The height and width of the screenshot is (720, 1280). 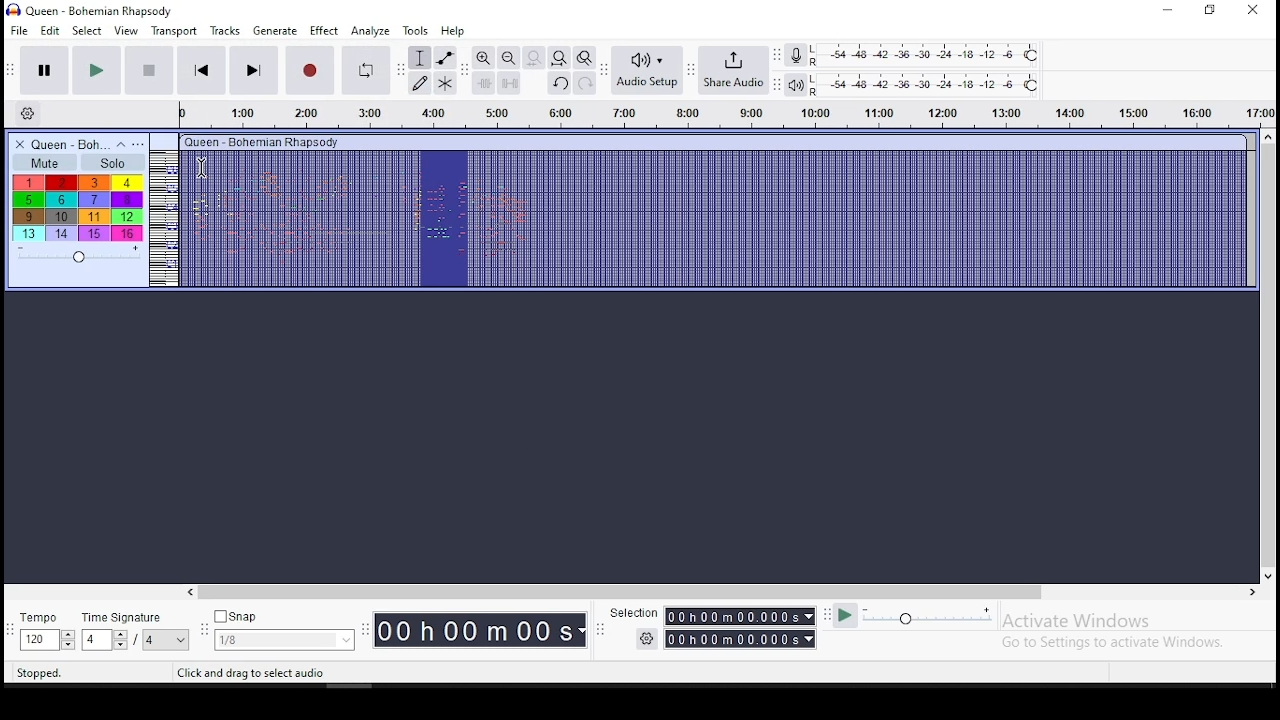 I want to click on skip to start, so click(x=202, y=72).